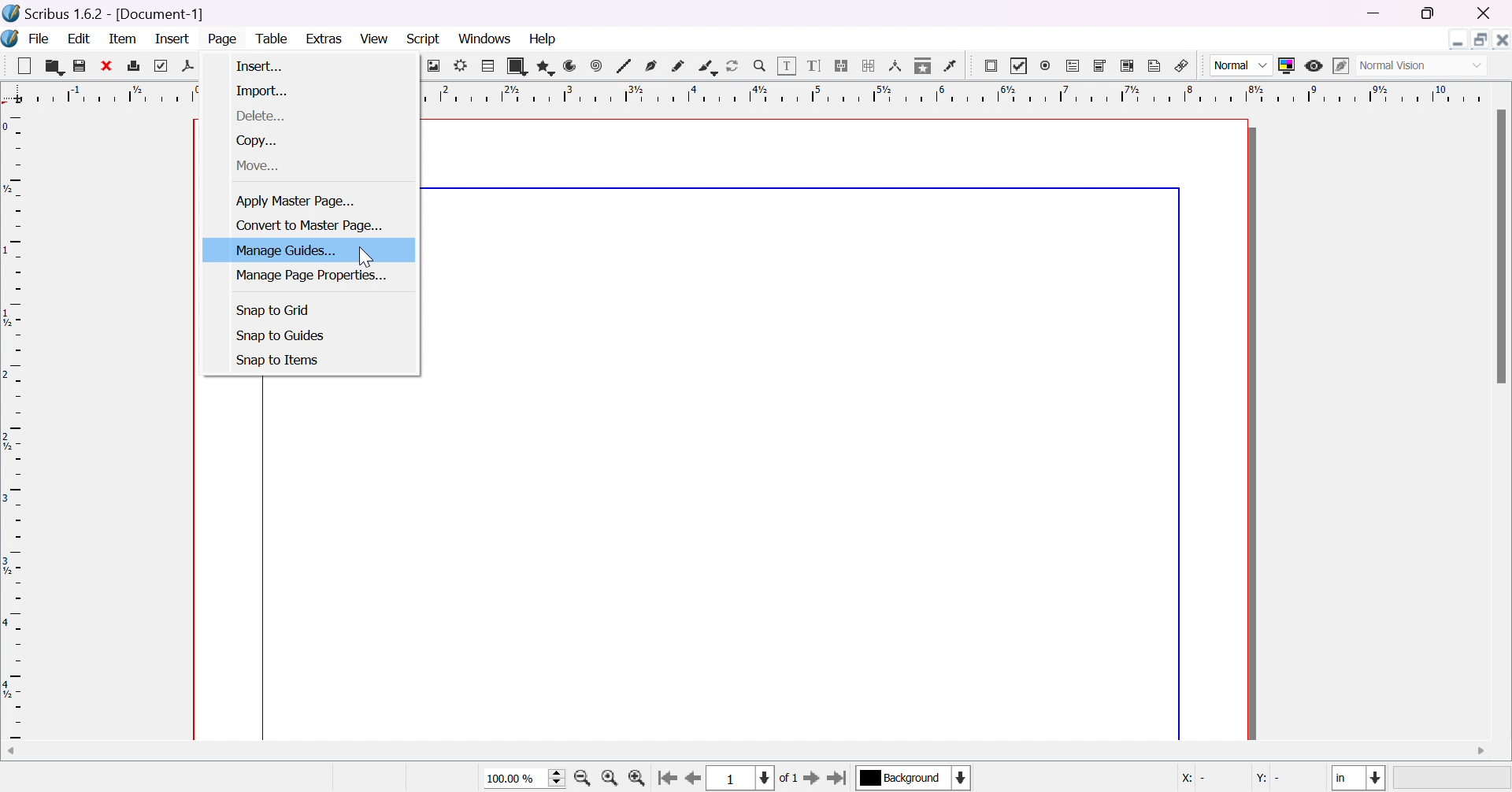  Describe the element at coordinates (294, 201) in the screenshot. I see `apply master page` at that location.